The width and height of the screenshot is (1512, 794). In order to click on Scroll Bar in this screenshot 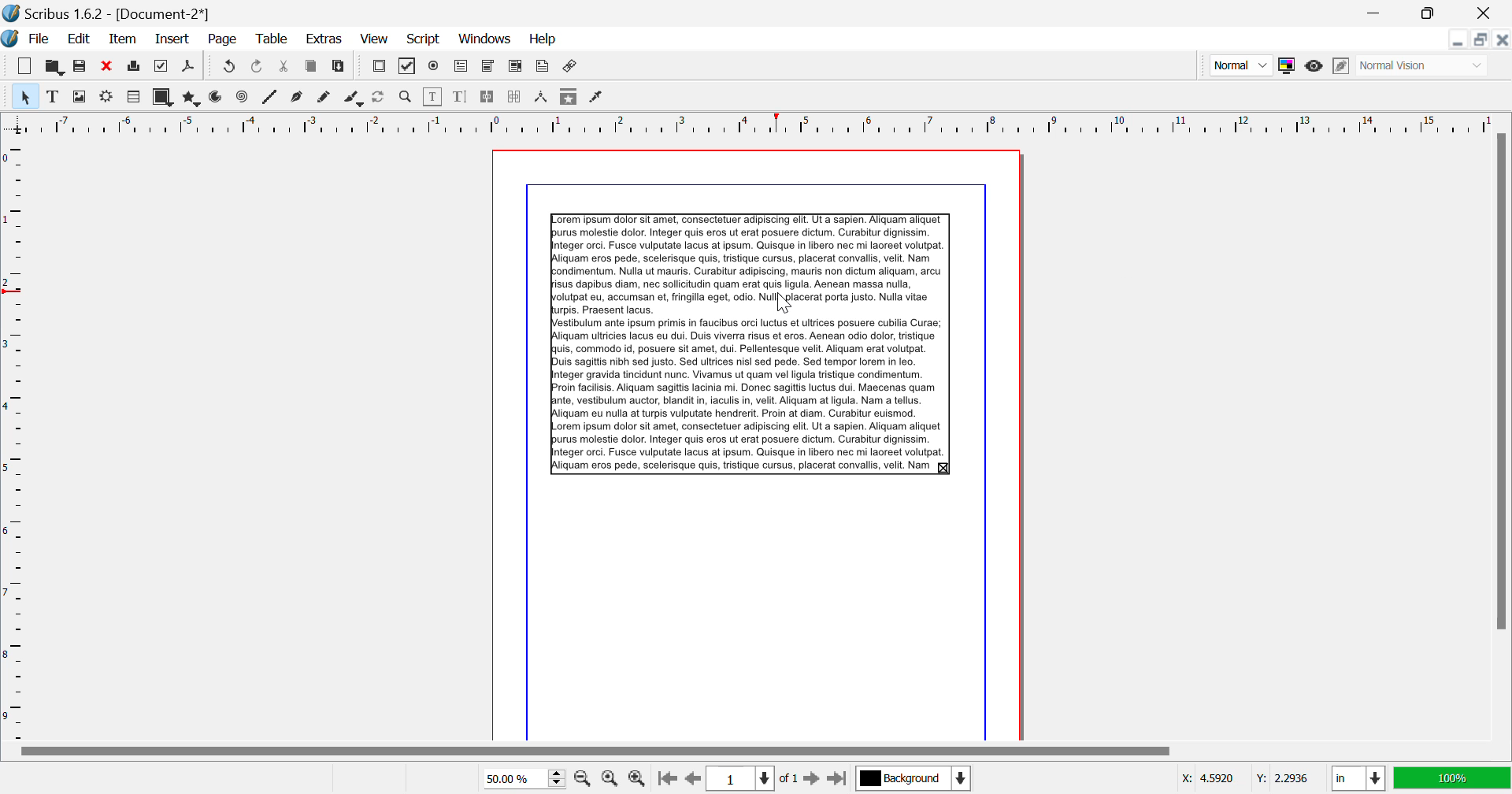, I will do `click(1502, 435)`.